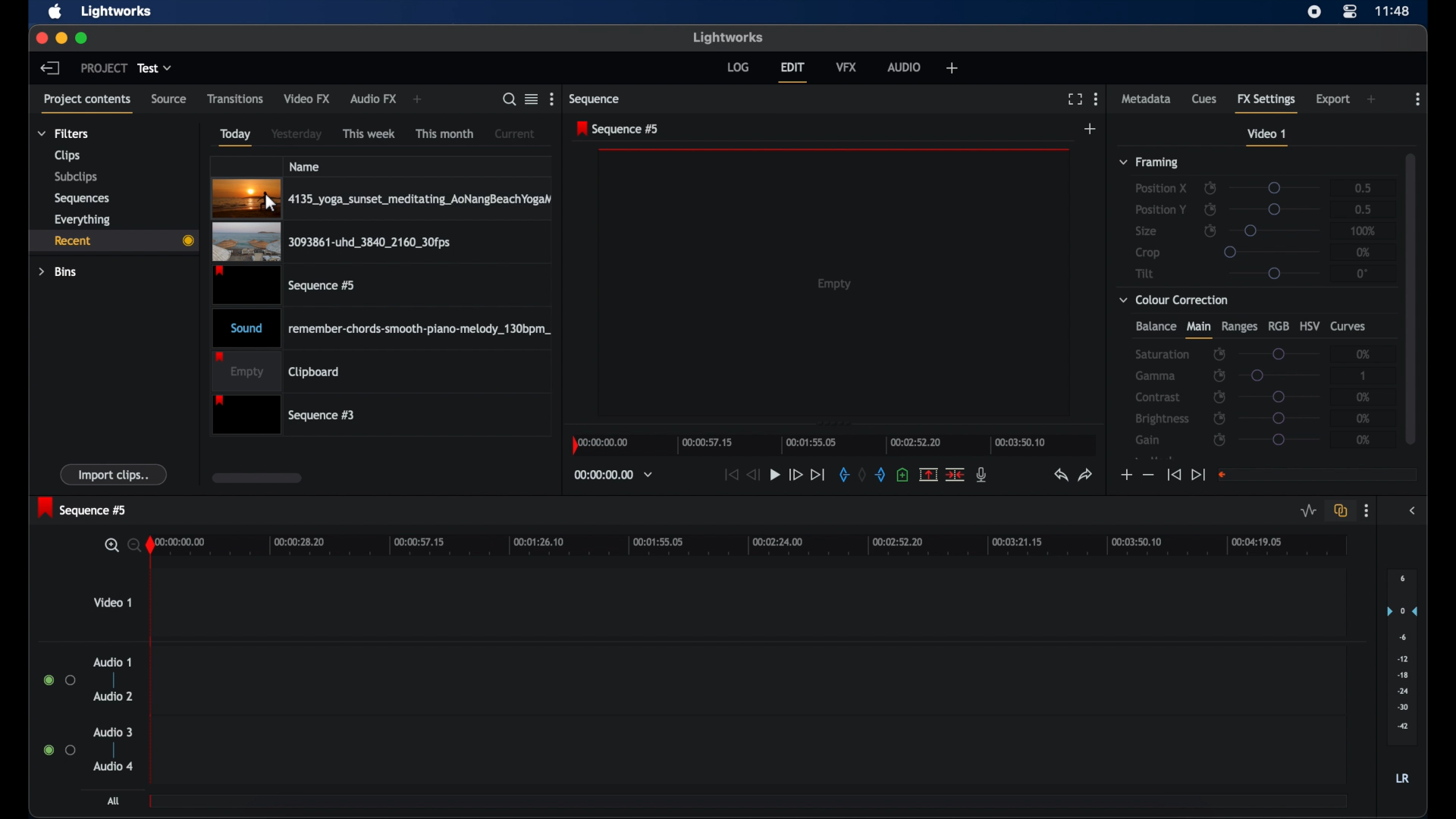 Image resolution: width=1456 pixels, height=819 pixels. What do you see at coordinates (117, 12) in the screenshot?
I see `lightworks` at bounding box center [117, 12].